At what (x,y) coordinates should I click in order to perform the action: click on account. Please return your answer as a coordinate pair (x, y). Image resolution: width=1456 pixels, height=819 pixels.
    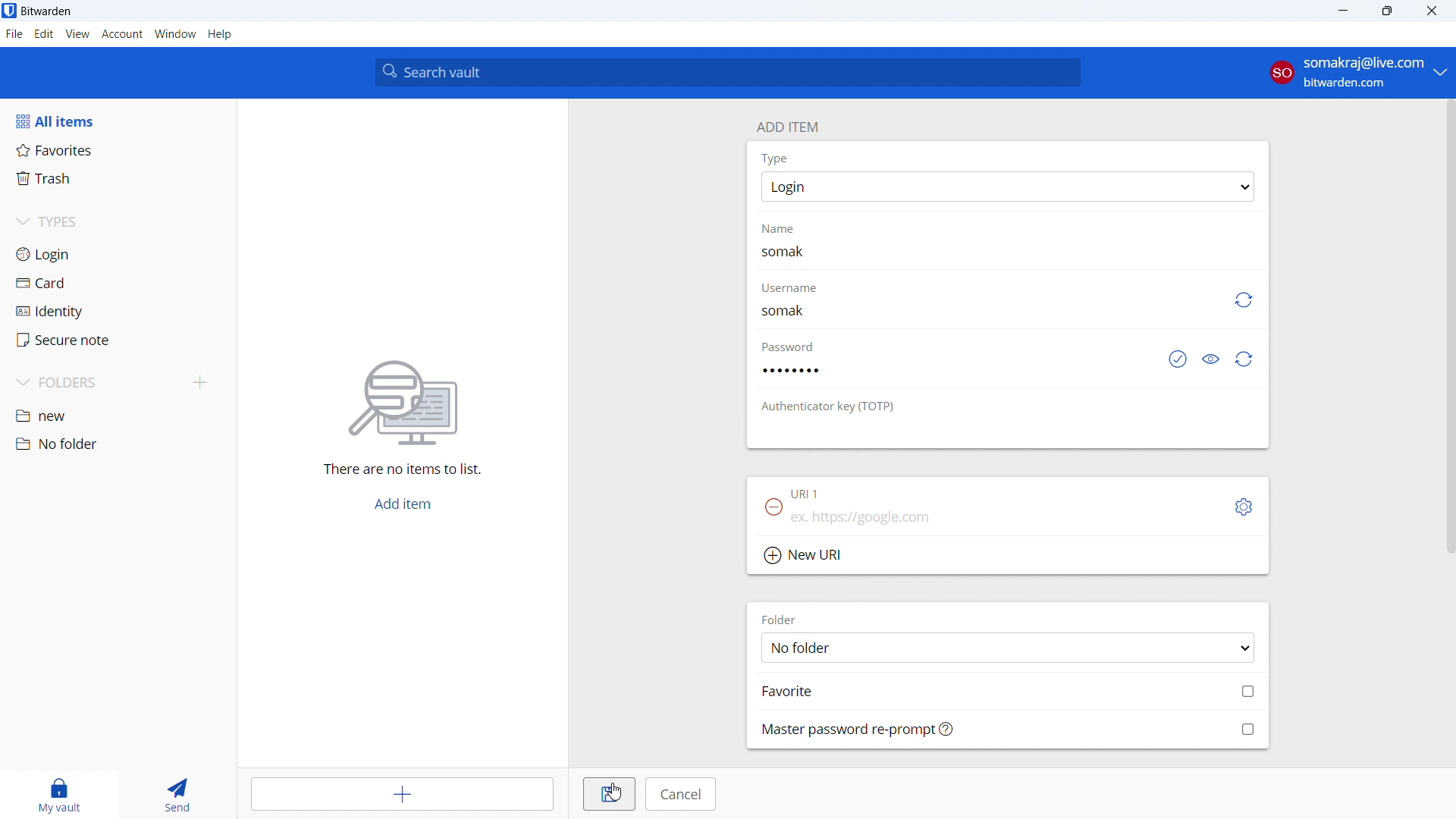
    Looking at the image, I should click on (1357, 73).